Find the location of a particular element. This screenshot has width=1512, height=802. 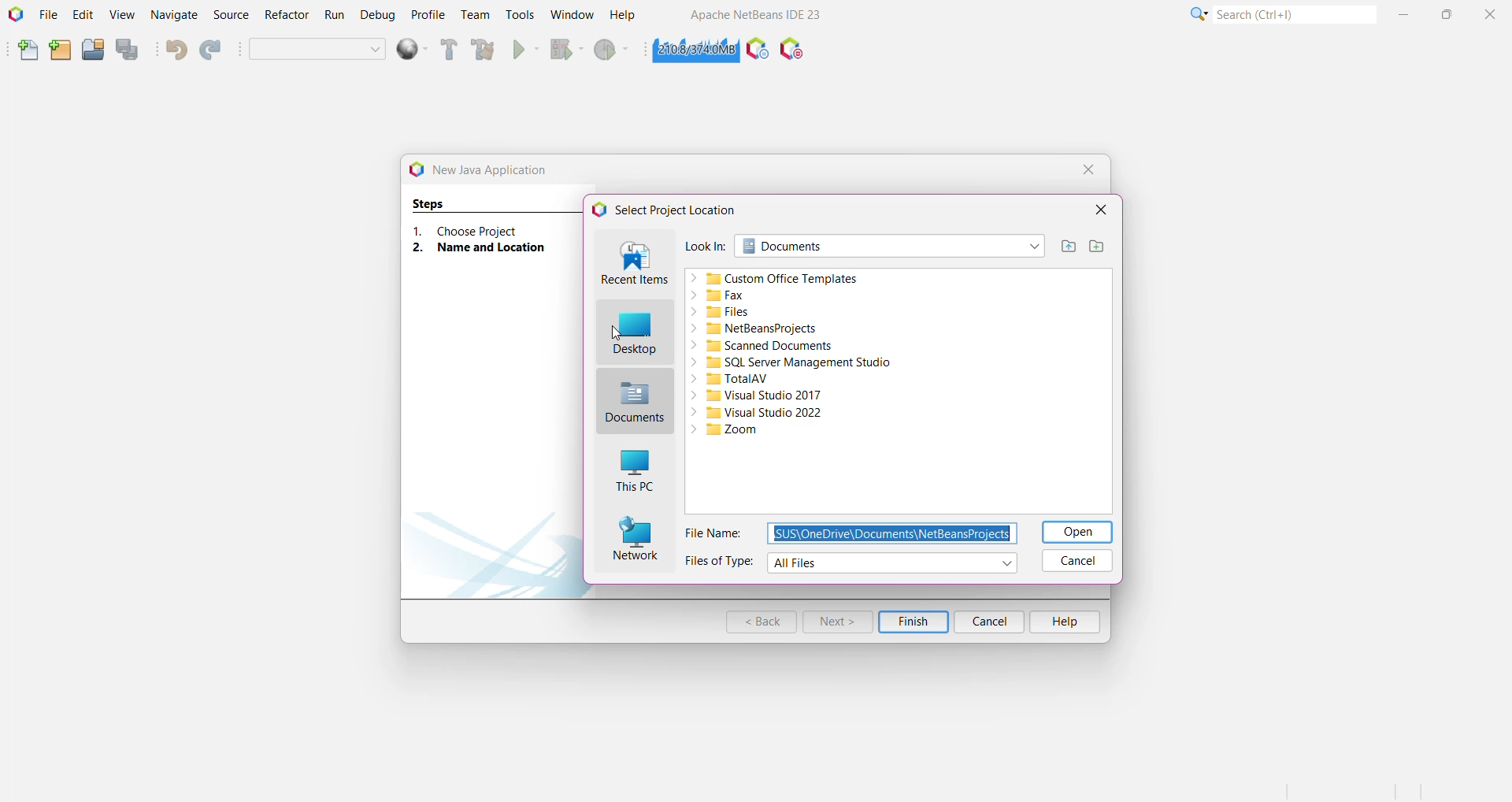

Navigate is located at coordinates (174, 16).